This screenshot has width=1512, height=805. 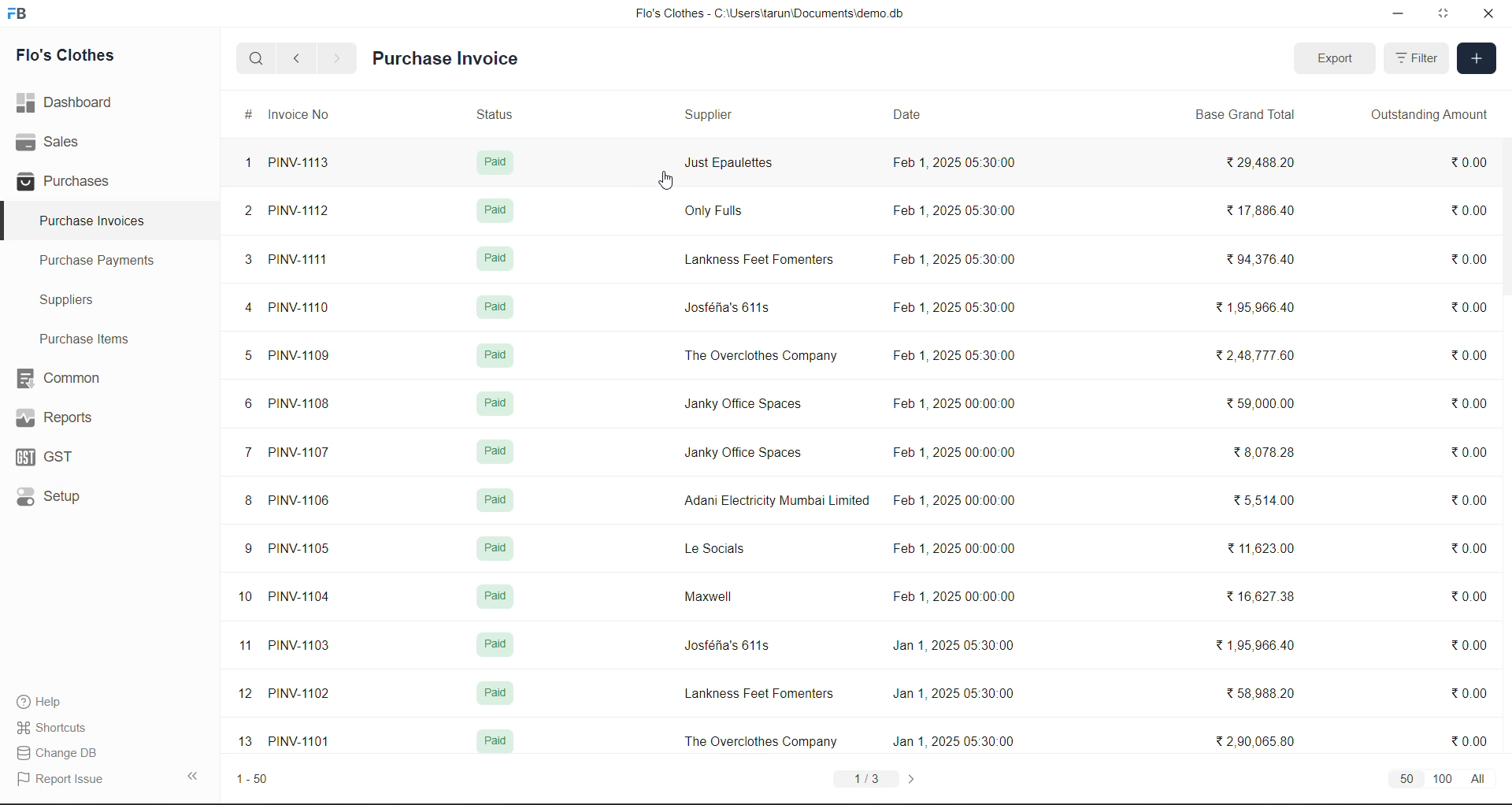 What do you see at coordinates (65, 777) in the screenshot?
I see `Report Issue` at bounding box center [65, 777].